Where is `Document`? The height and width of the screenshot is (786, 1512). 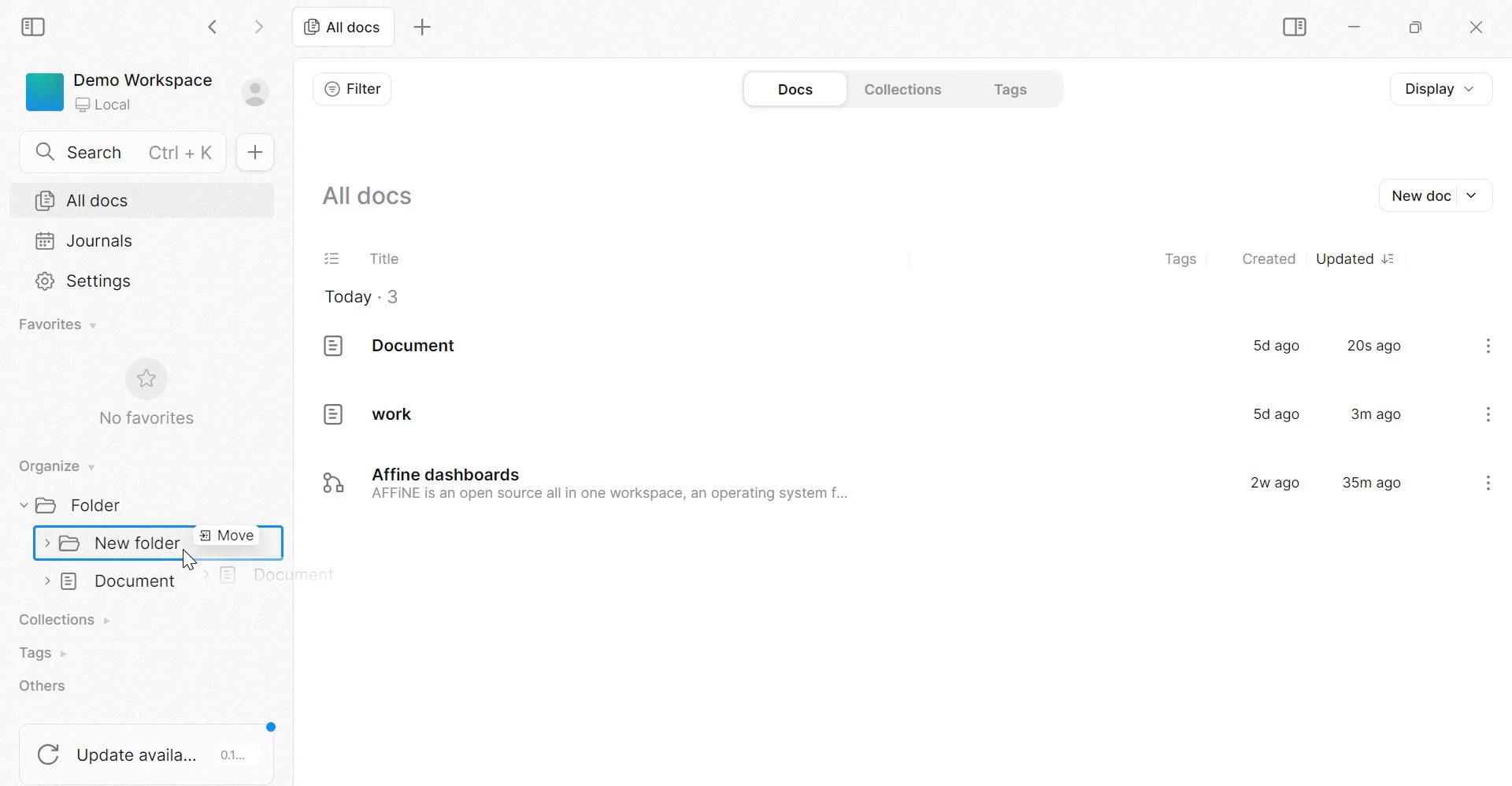 Document is located at coordinates (122, 581).